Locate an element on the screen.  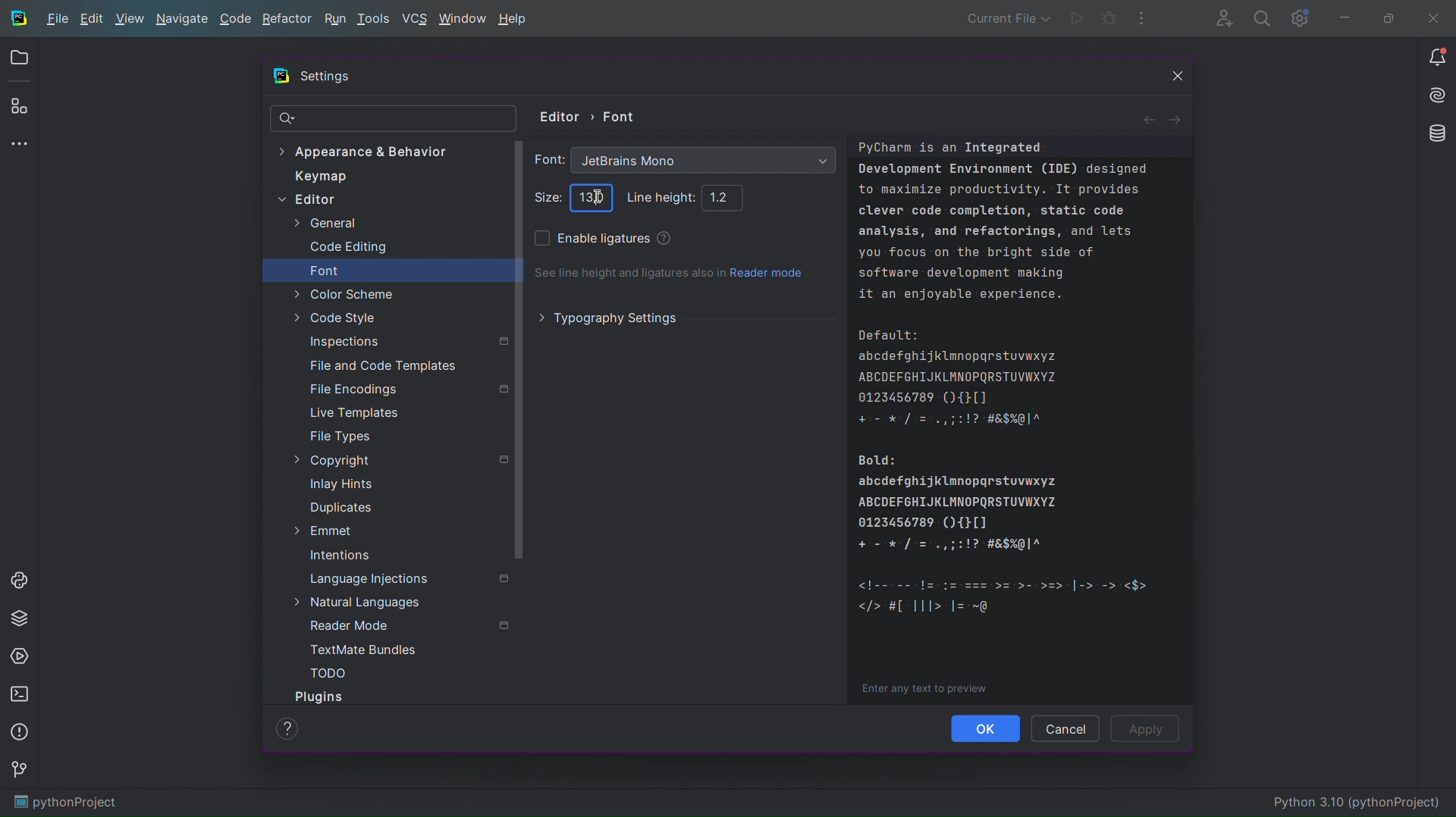
Bug Test is located at coordinates (1109, 19).